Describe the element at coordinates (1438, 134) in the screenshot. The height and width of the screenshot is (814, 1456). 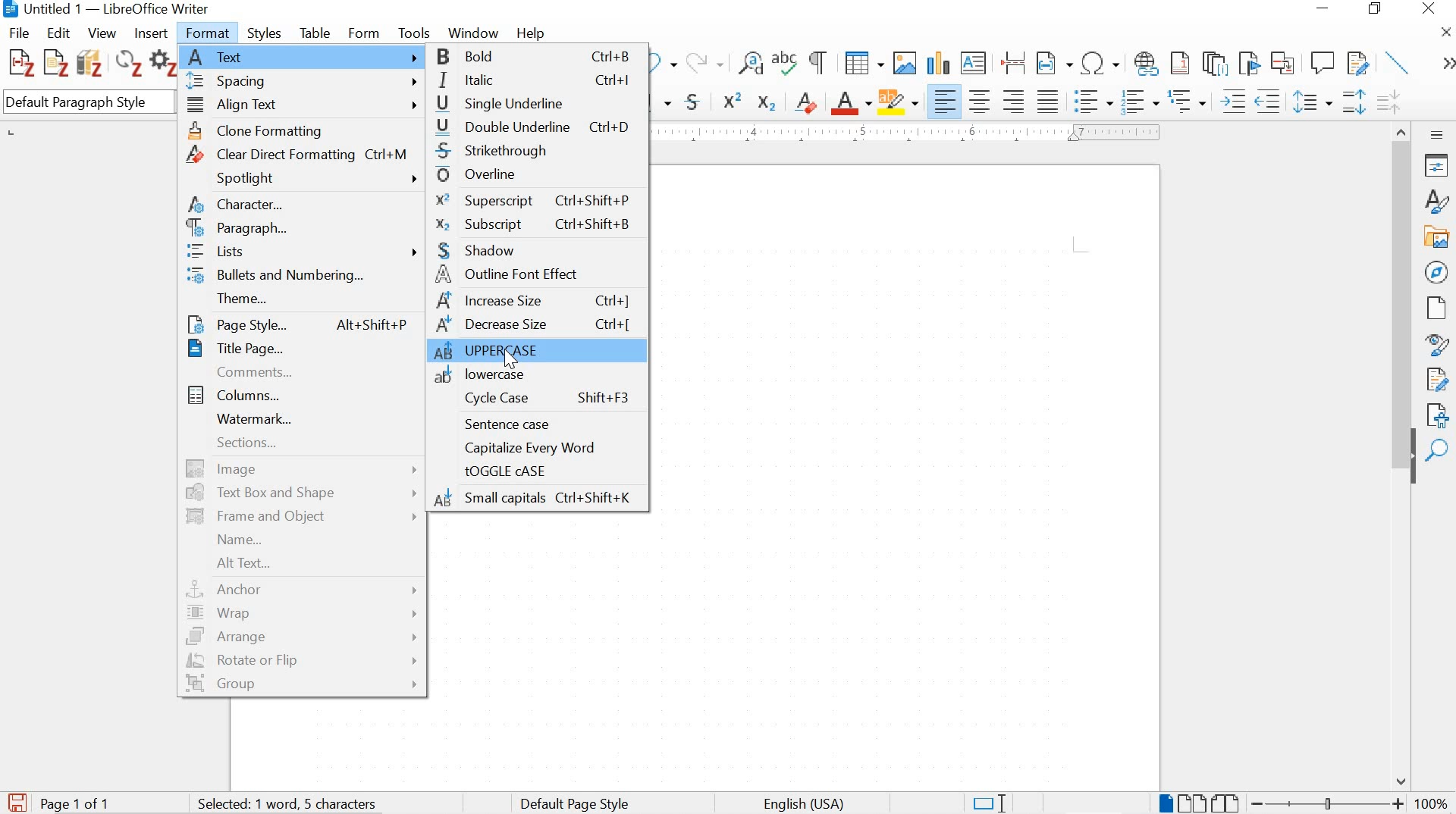
I see `sidebar settings` at that location.